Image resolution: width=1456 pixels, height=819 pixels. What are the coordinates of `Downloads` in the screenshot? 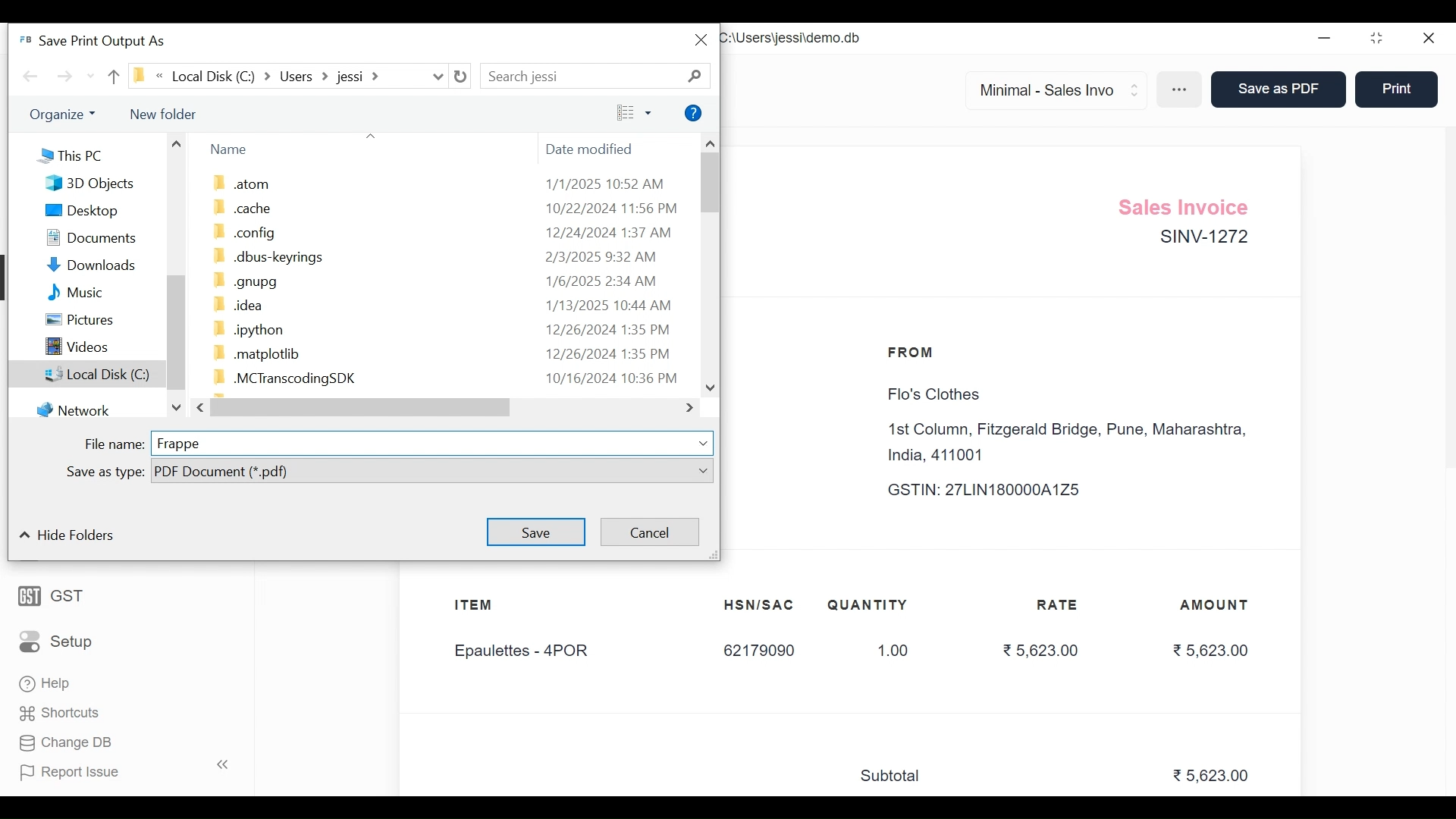 It's located at (83, 265).